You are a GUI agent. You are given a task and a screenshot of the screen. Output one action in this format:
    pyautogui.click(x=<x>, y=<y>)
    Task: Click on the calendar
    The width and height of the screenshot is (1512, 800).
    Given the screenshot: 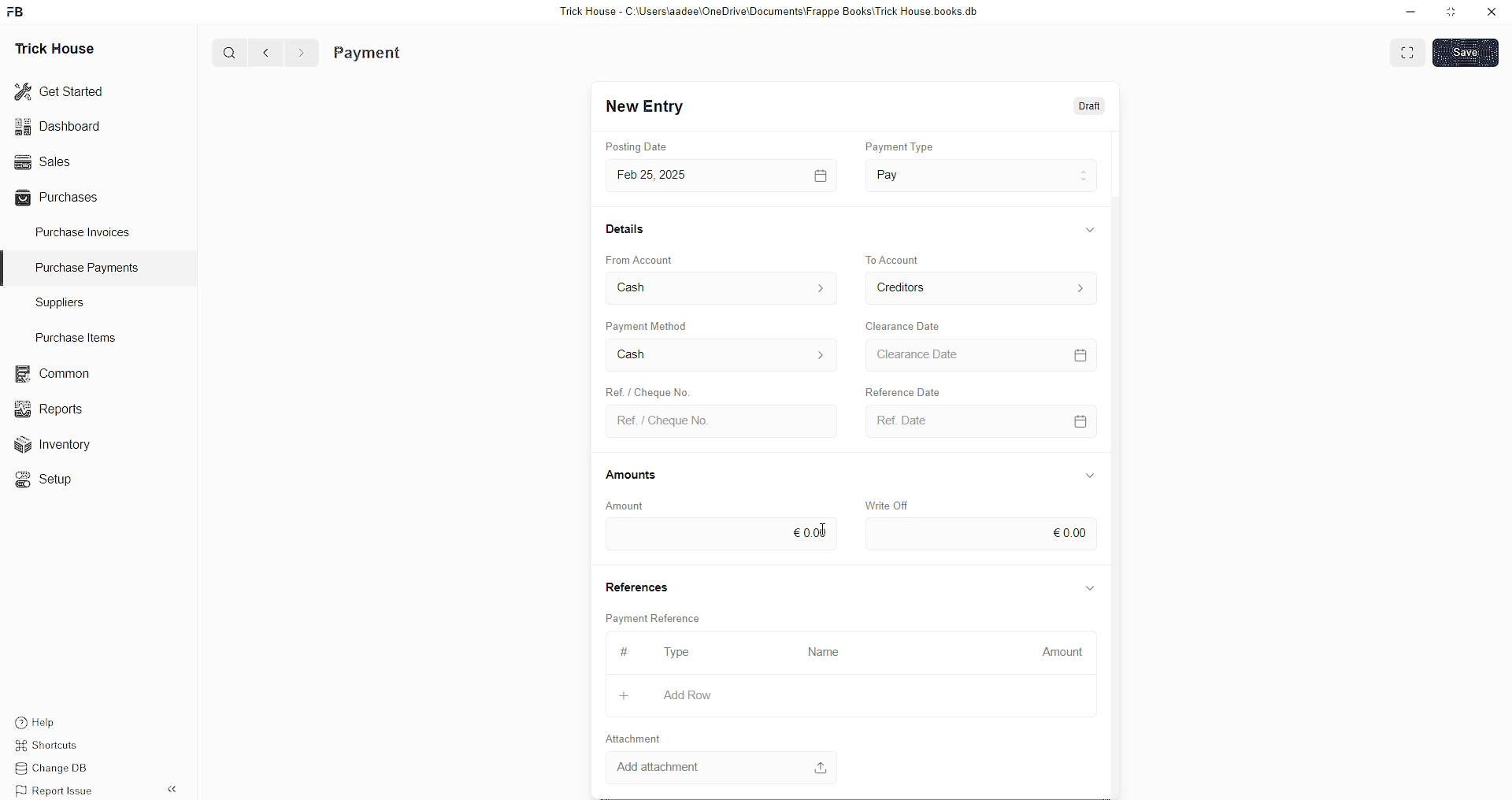 What is the action you would take?
    pyautogui.click(x=1077, y=423)
    